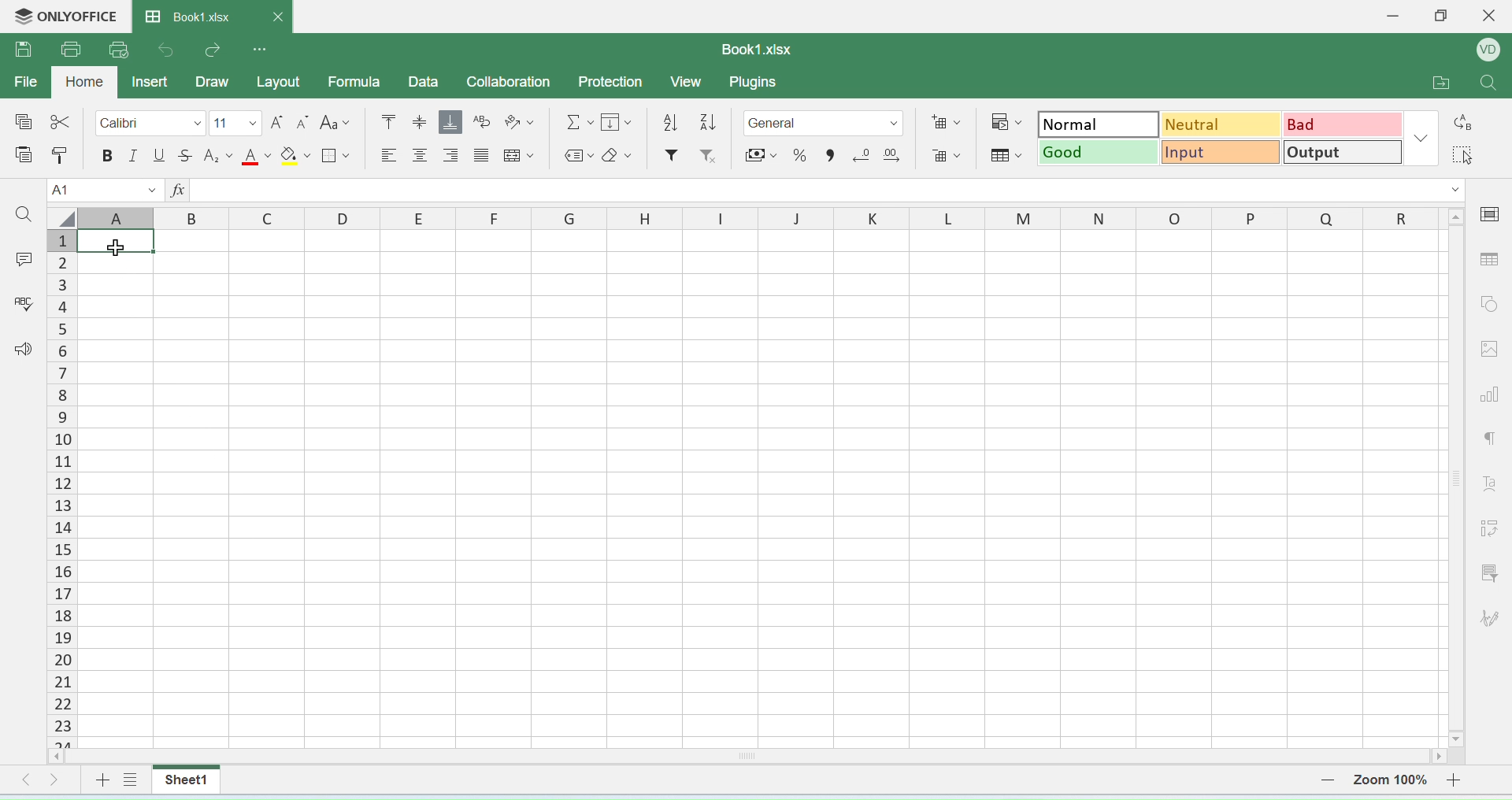  What do you see at coordinates (216, 14) in the screenshot?
I see `book1.xlsx` at bounding box center [216, 14].